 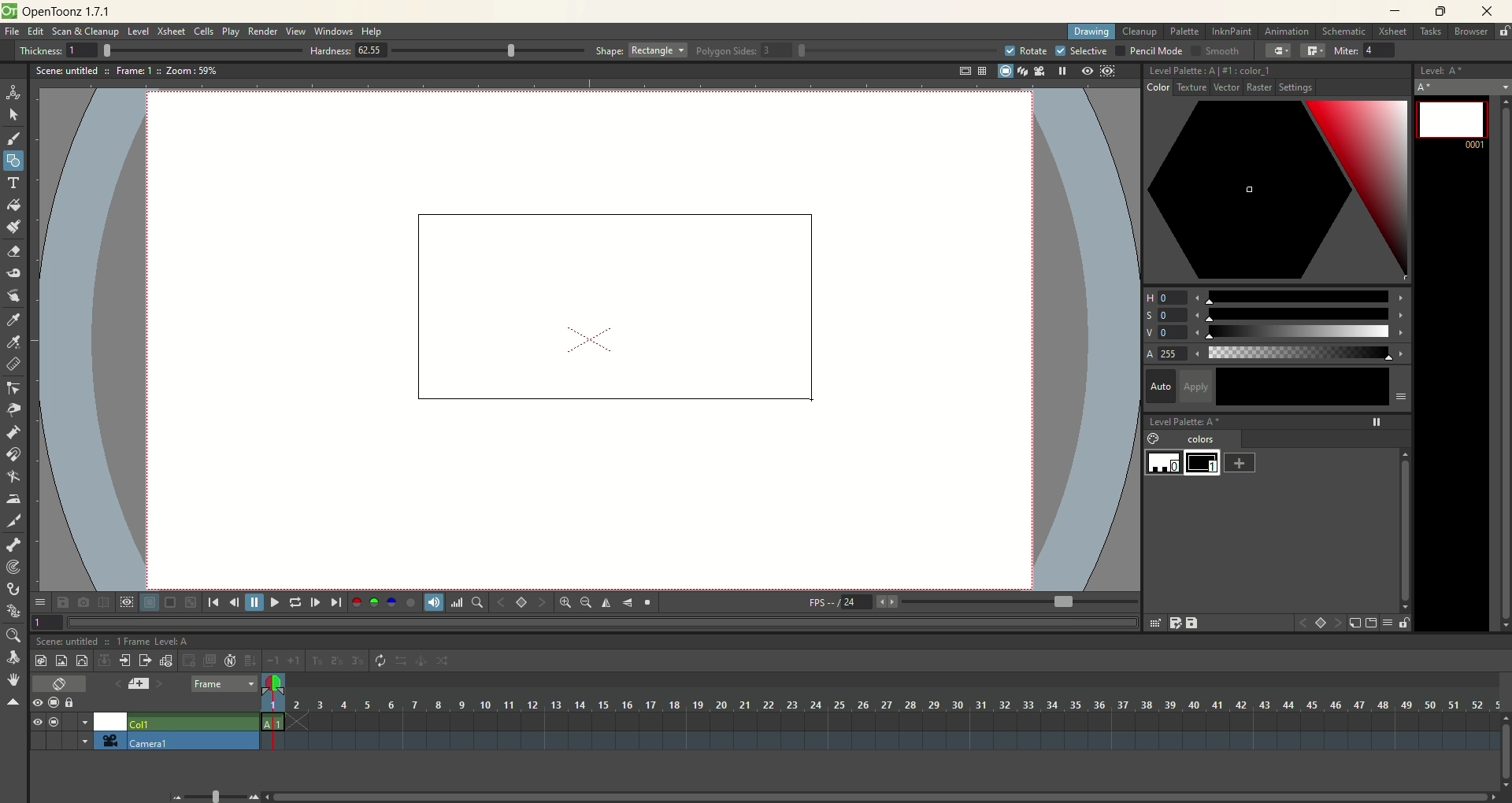 What do you see at coordinates (13, 431) in the screenshot?
I see `pump ` at bounding box center [13, 431].